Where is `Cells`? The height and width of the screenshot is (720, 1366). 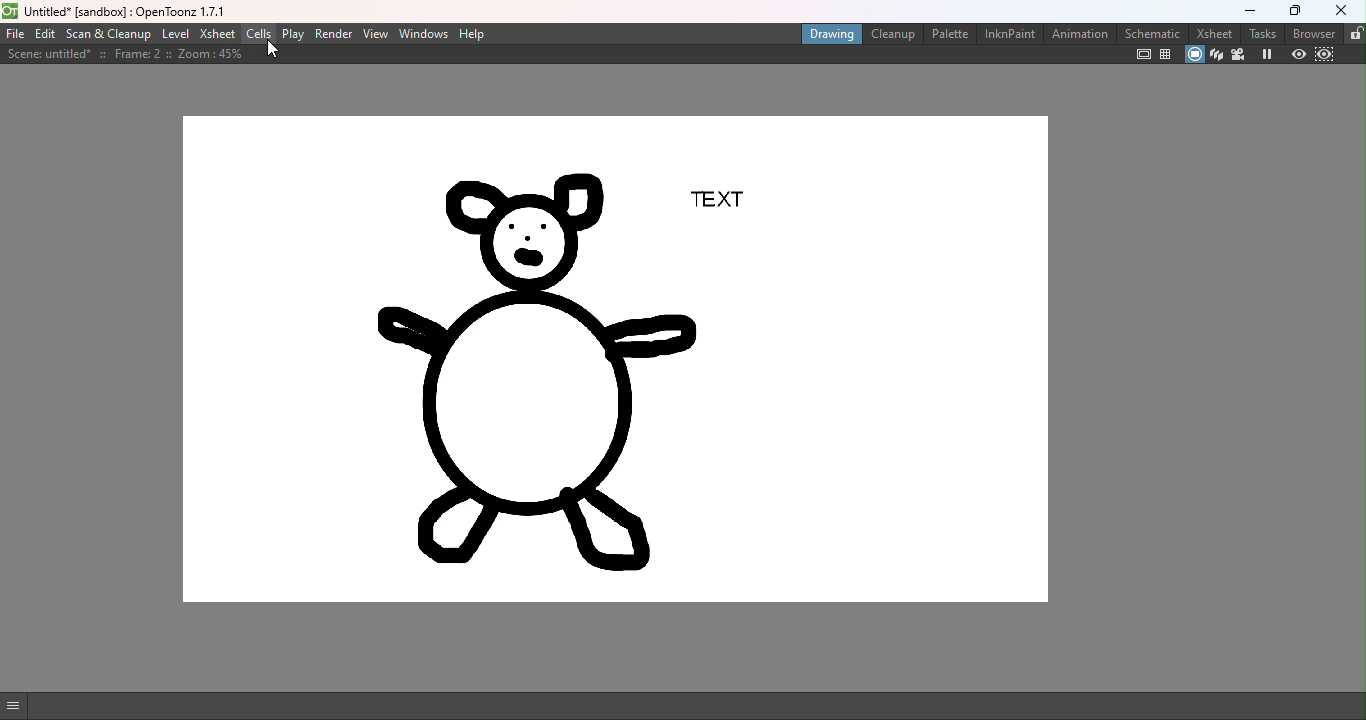 Cells is located at coordinates (259, 34).